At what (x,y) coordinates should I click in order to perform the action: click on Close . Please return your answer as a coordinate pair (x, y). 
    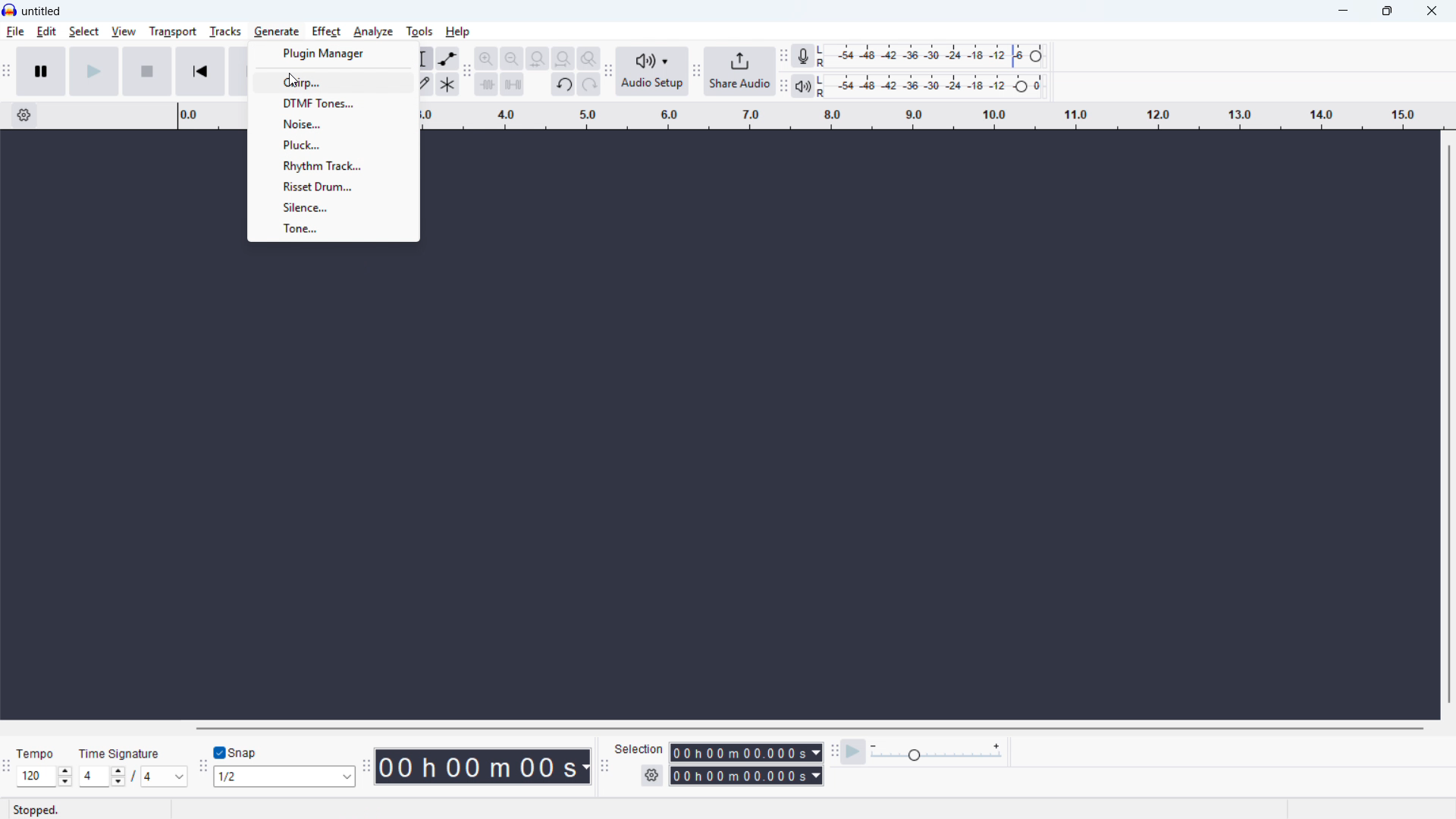
    Looking at the image, I should click on (1430, 11).